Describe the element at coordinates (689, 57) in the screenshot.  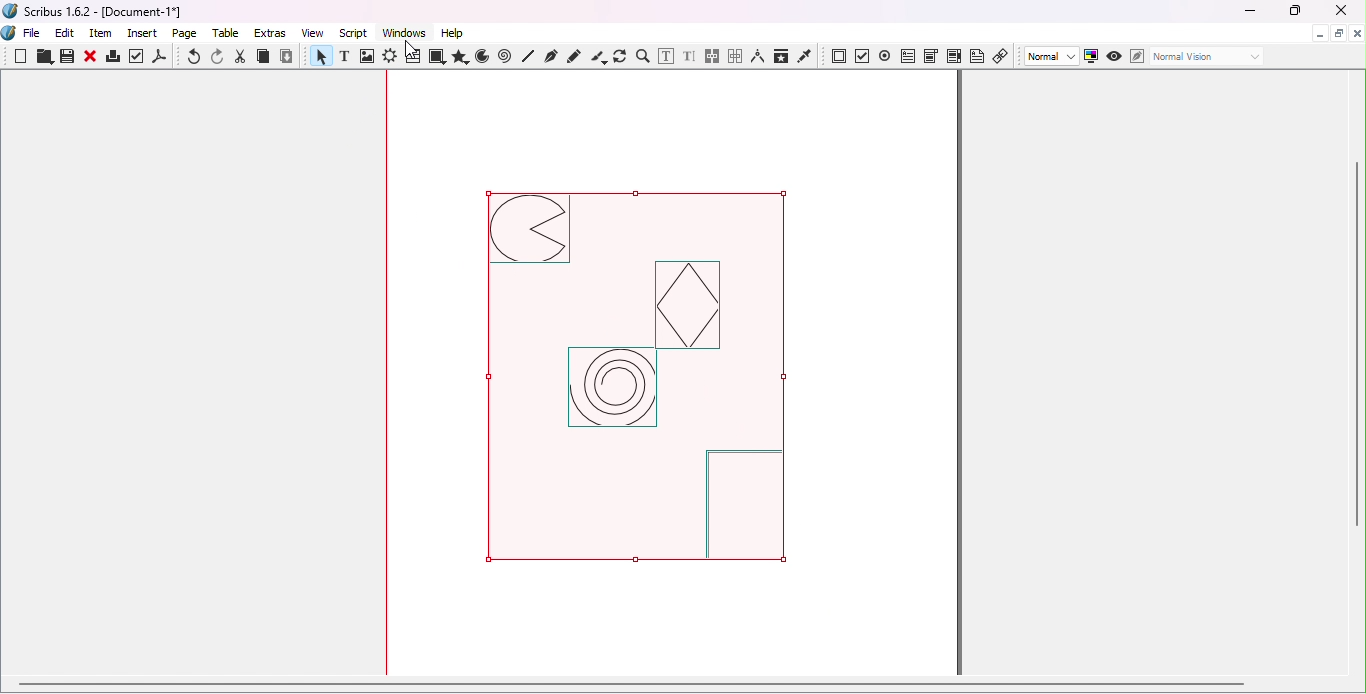
I see `Edit text with story editor` at that location.